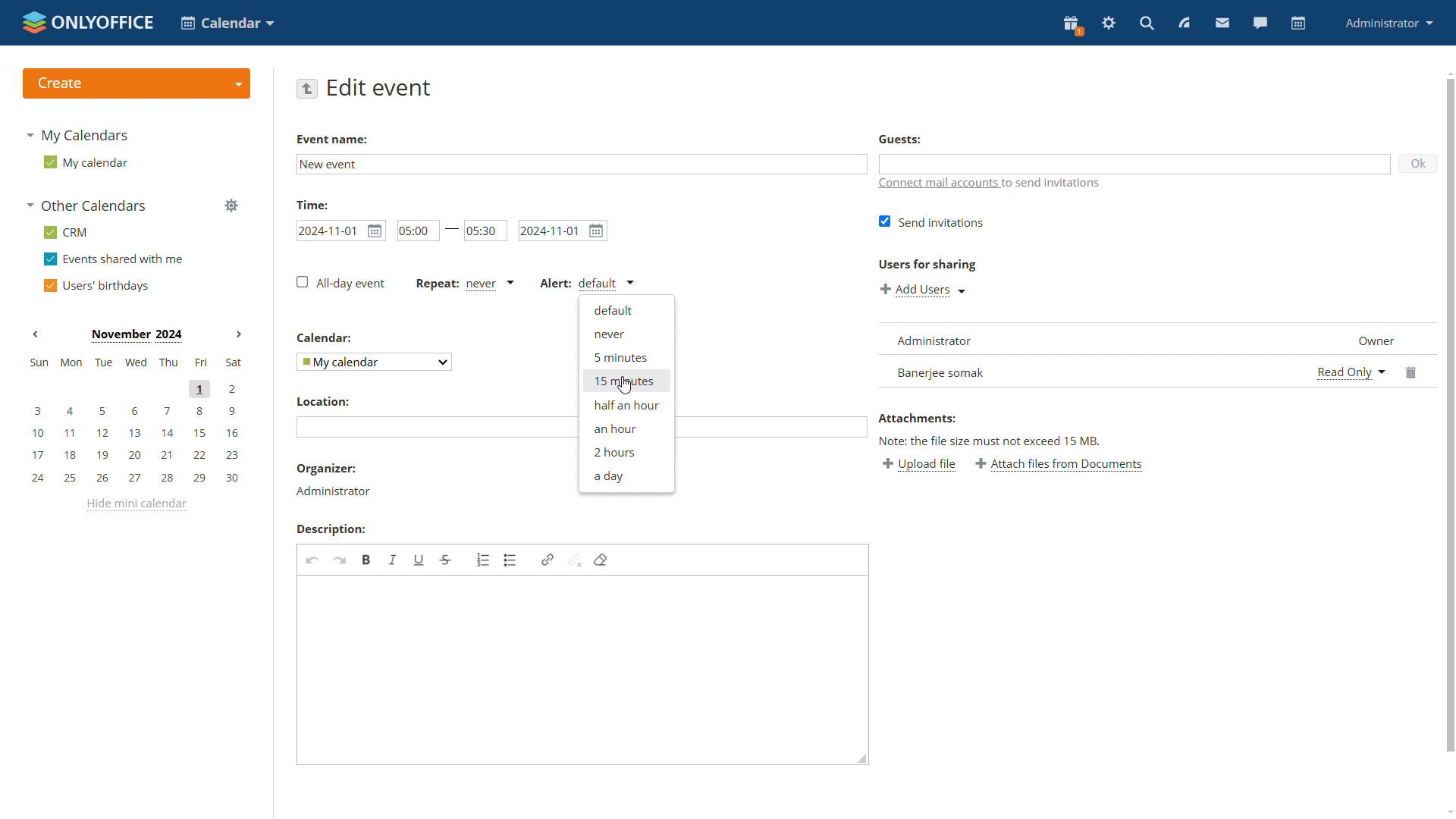  Describe the element at coordinates (99, 287) in the screenshot. I see `users' birthdays` at that location.